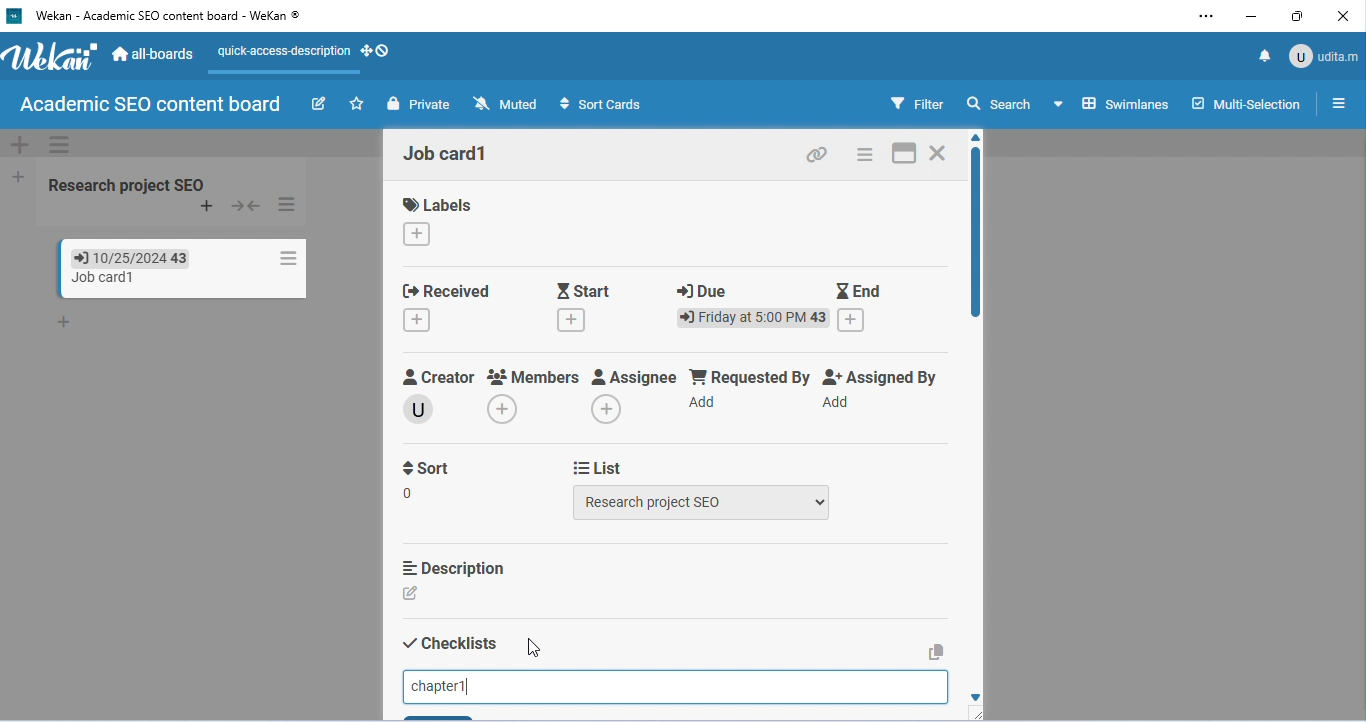  I want to click on requested by, so click(750, 376).